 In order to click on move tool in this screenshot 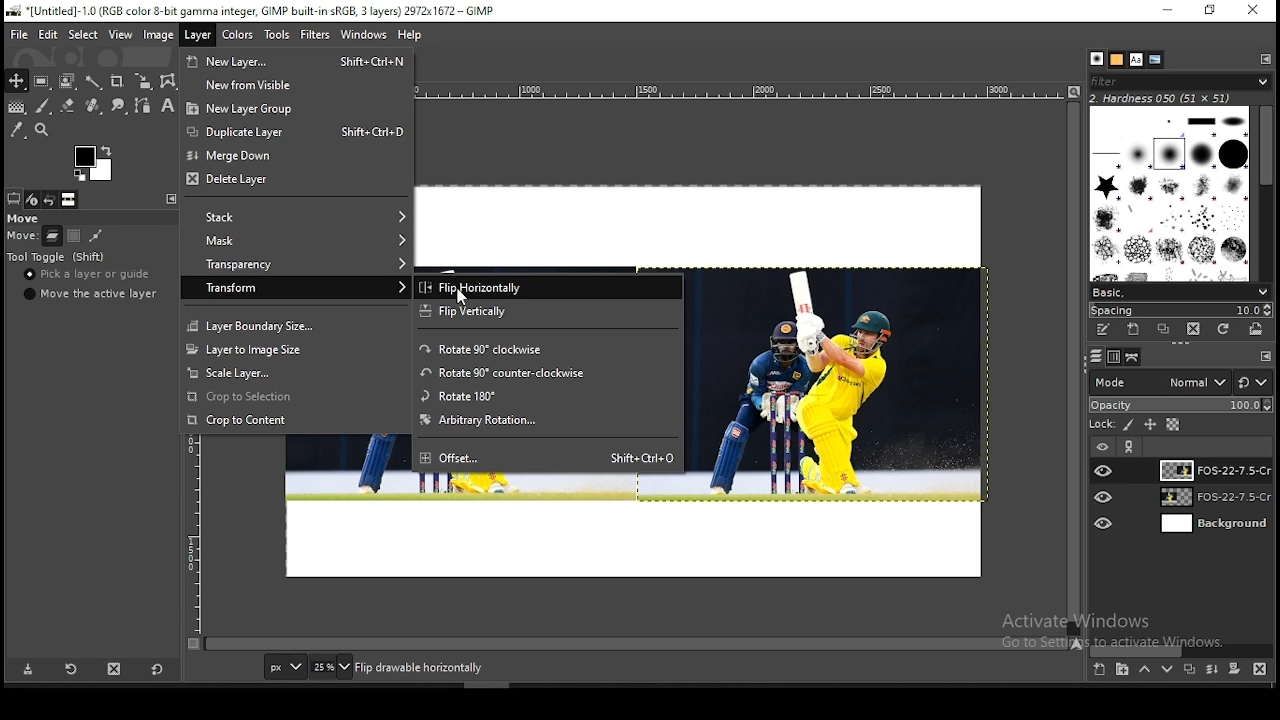, I will do `click(16, 81)`.